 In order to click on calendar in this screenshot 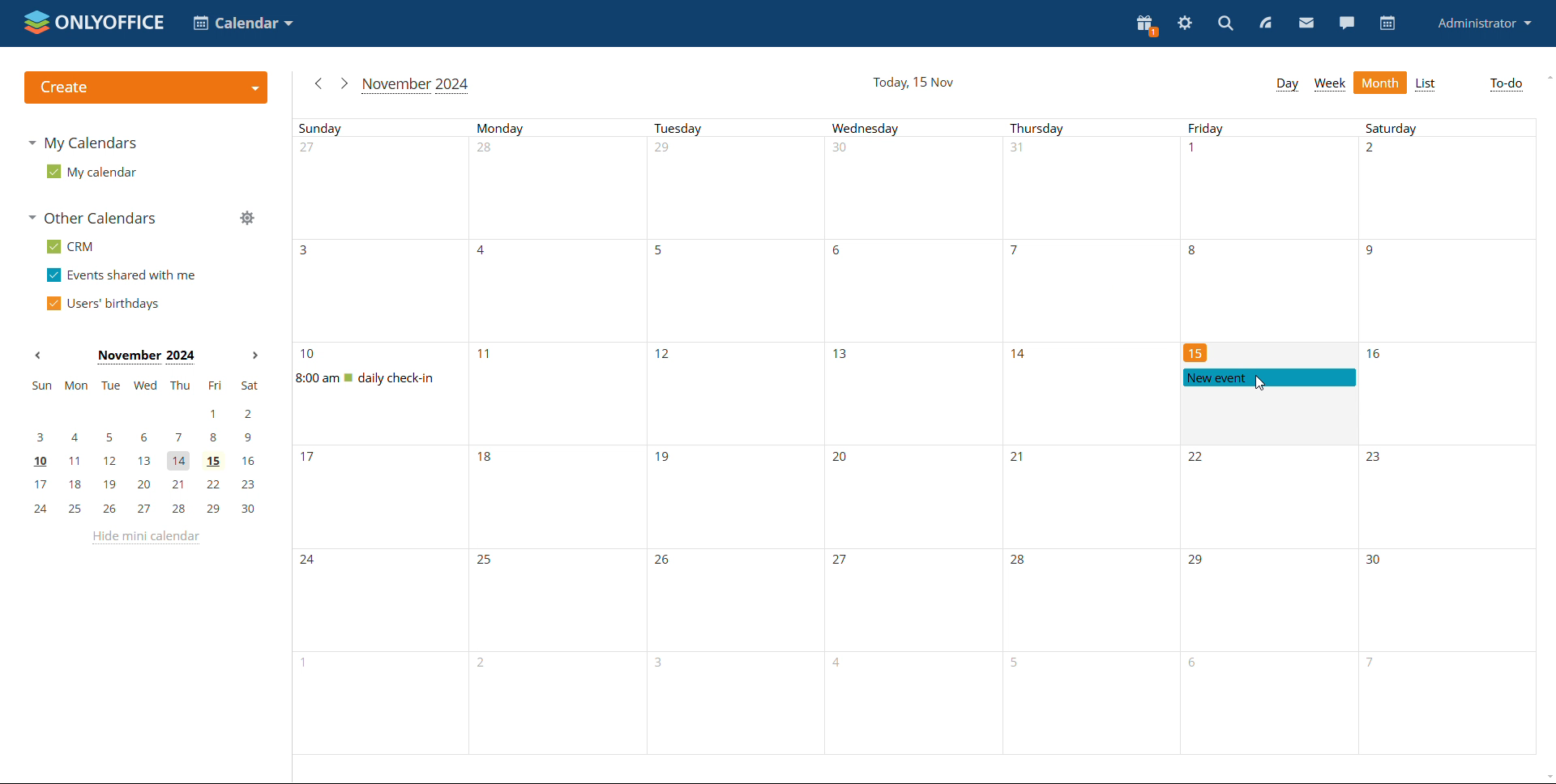, I will do `click(1386, 23)`.